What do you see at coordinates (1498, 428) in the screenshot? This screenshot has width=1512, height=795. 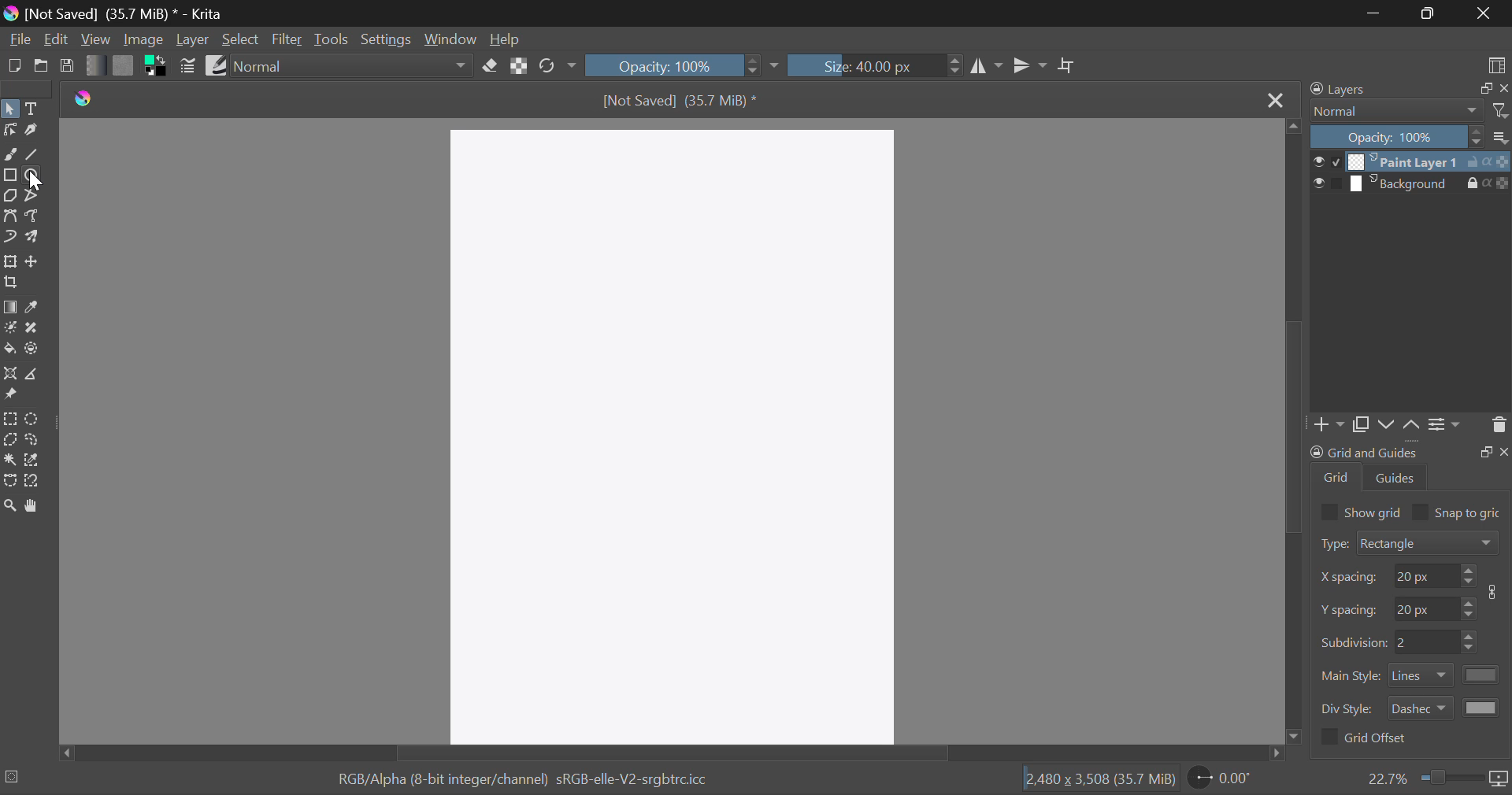 I see `Delete Layer` at bounding box center [1498, 428].